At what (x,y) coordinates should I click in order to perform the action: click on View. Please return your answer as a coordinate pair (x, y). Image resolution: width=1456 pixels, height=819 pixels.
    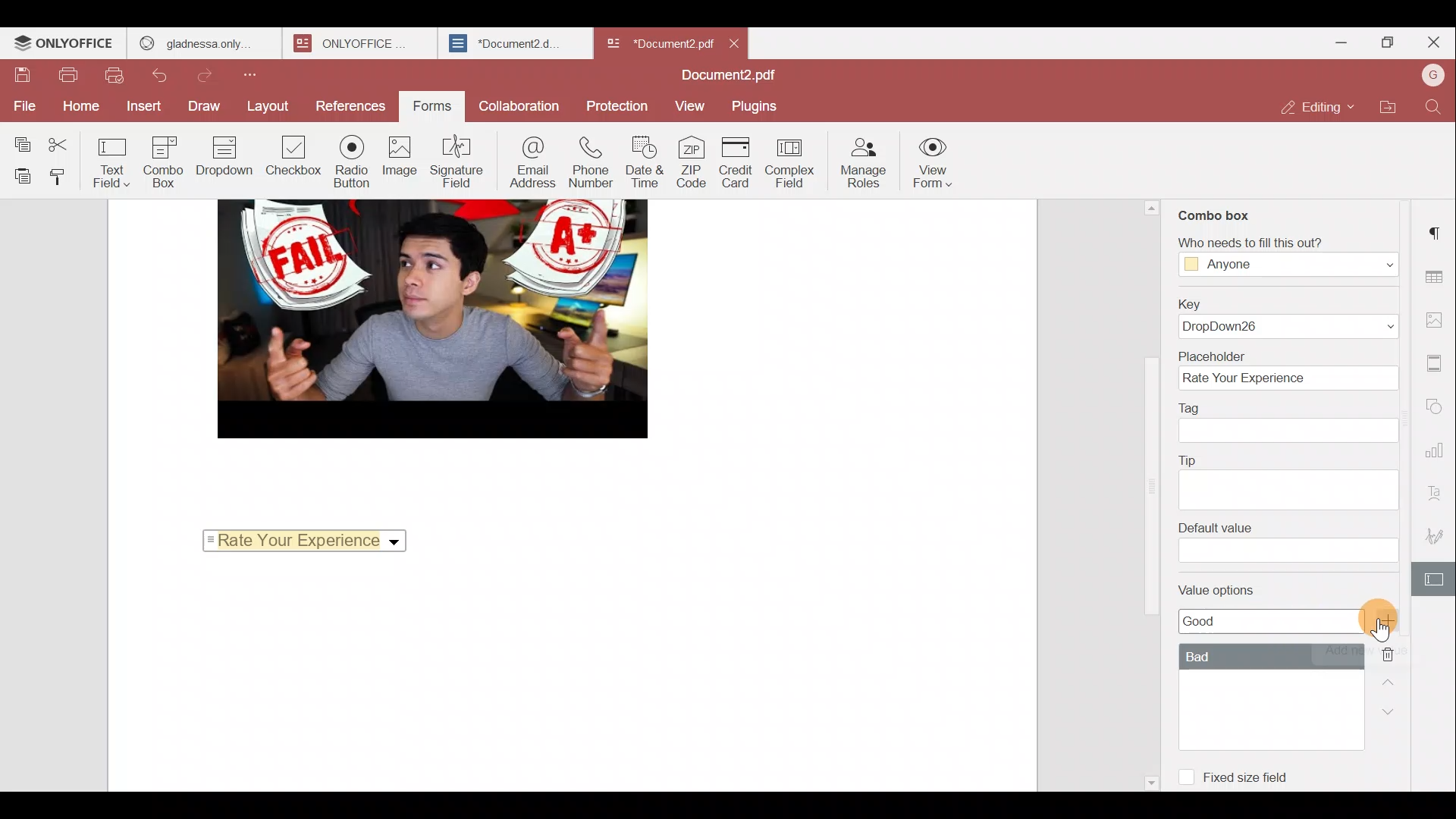
    Looking at the image, I should click on (692, 105).